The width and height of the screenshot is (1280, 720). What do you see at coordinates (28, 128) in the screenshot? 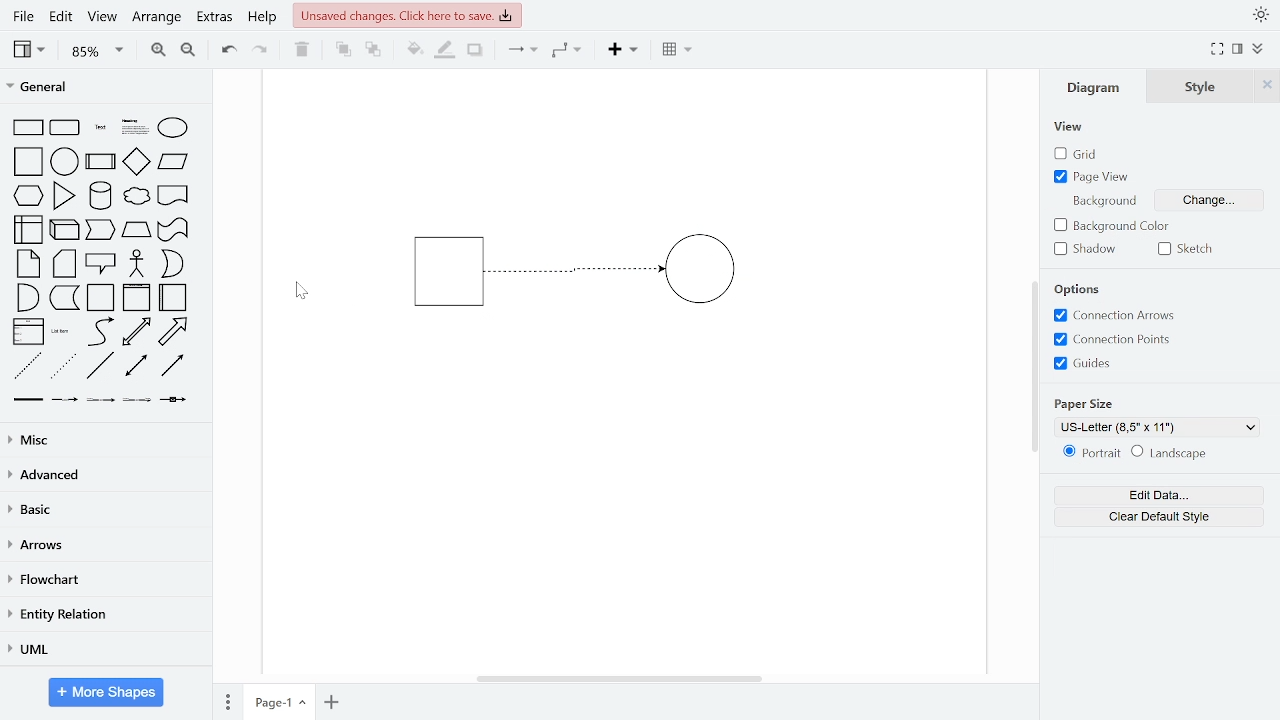
I see `rectangle` at bounding box center [28, 128].